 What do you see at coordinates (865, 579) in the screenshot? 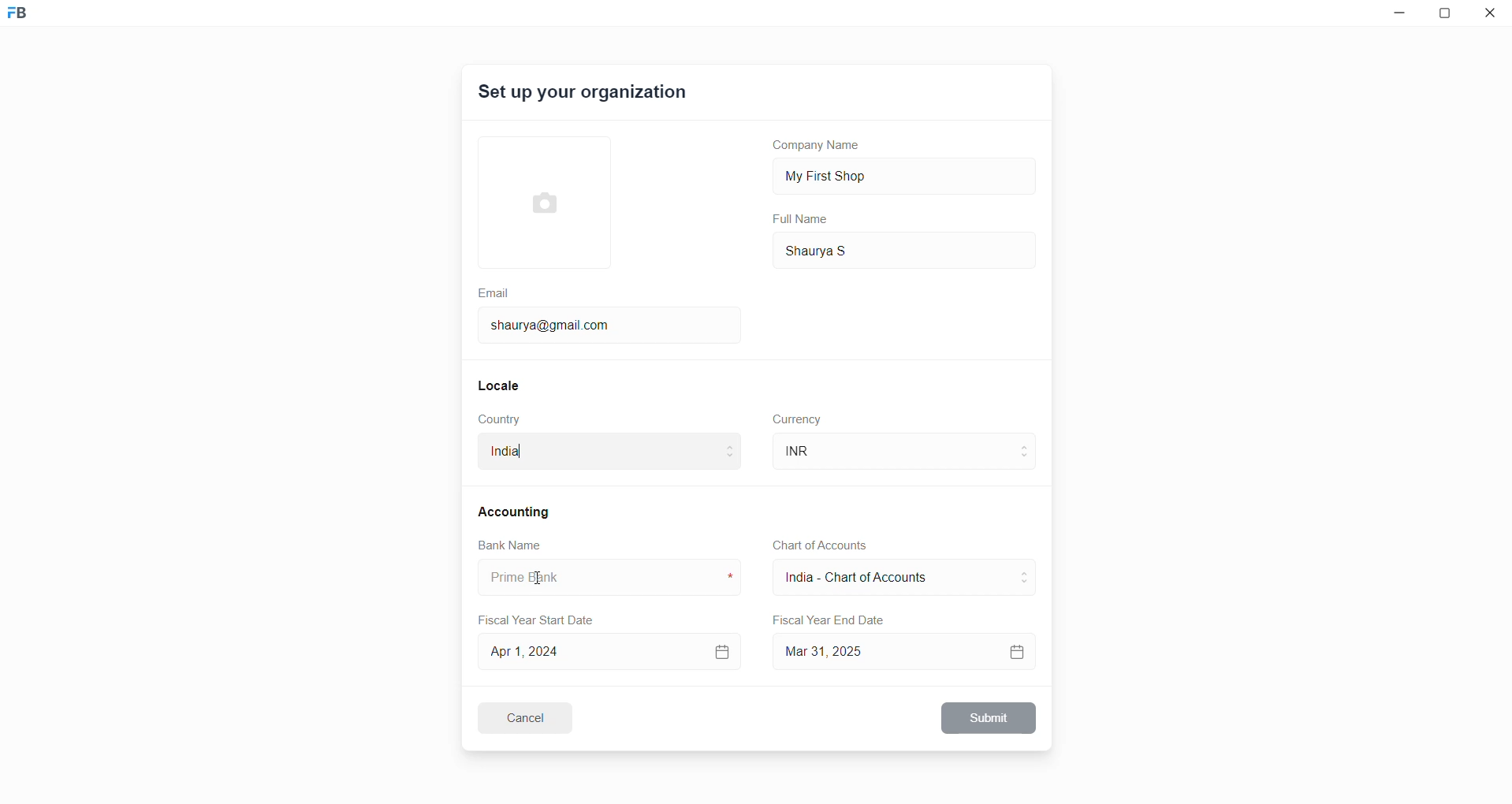
I see `India - Chart of Account` at bounding box center [865, 579].